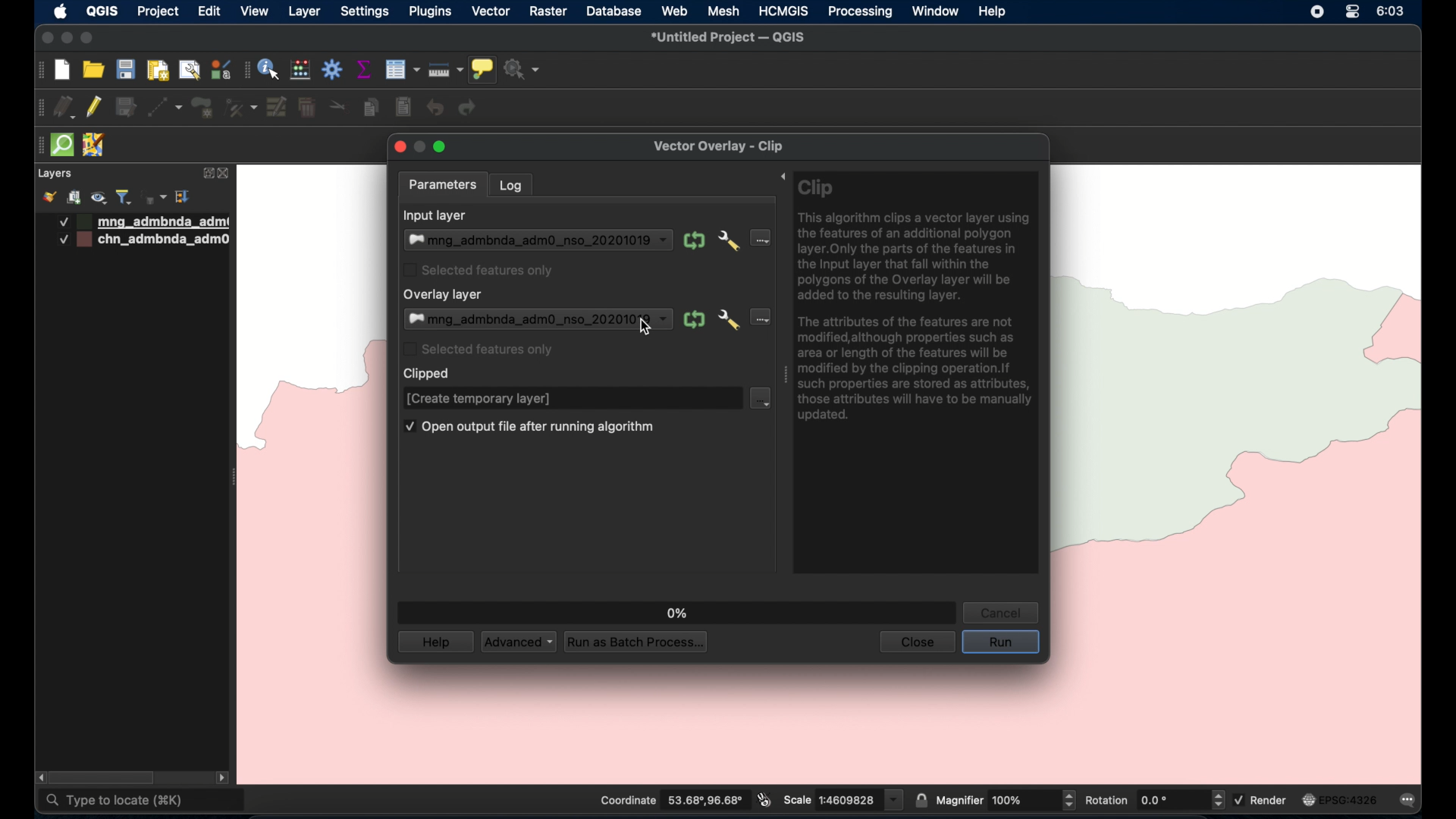 This screenshot has height=819, width=1456. I want to click on layer 2, so click(146, 240).